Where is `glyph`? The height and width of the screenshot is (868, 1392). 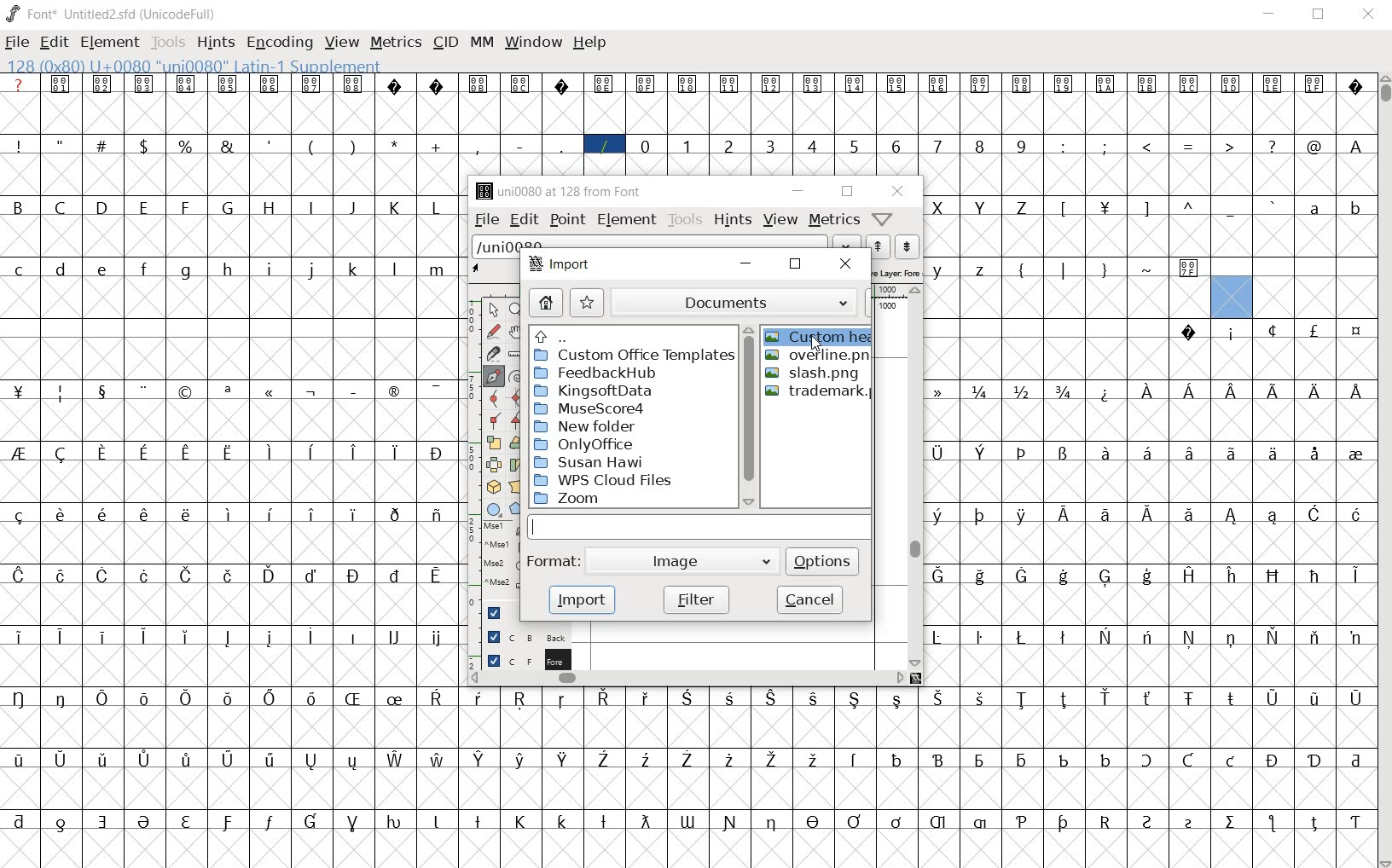
glyph is located at coordinates (186, 393).